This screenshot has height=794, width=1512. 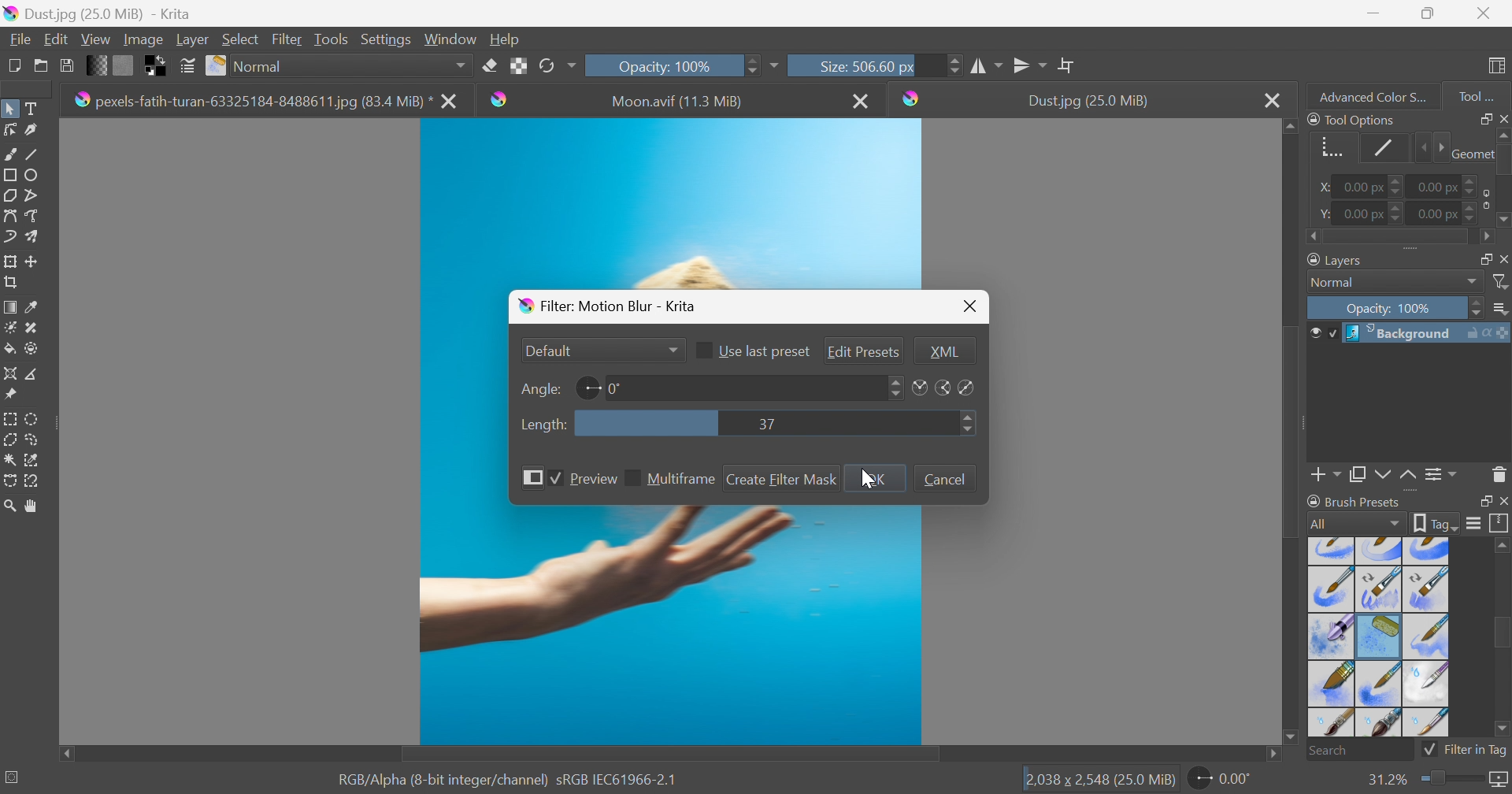 What do you see at coordinates (1473, 282) in the screenshot?
I see `Drop Down` at bounding box center [1473, 282].